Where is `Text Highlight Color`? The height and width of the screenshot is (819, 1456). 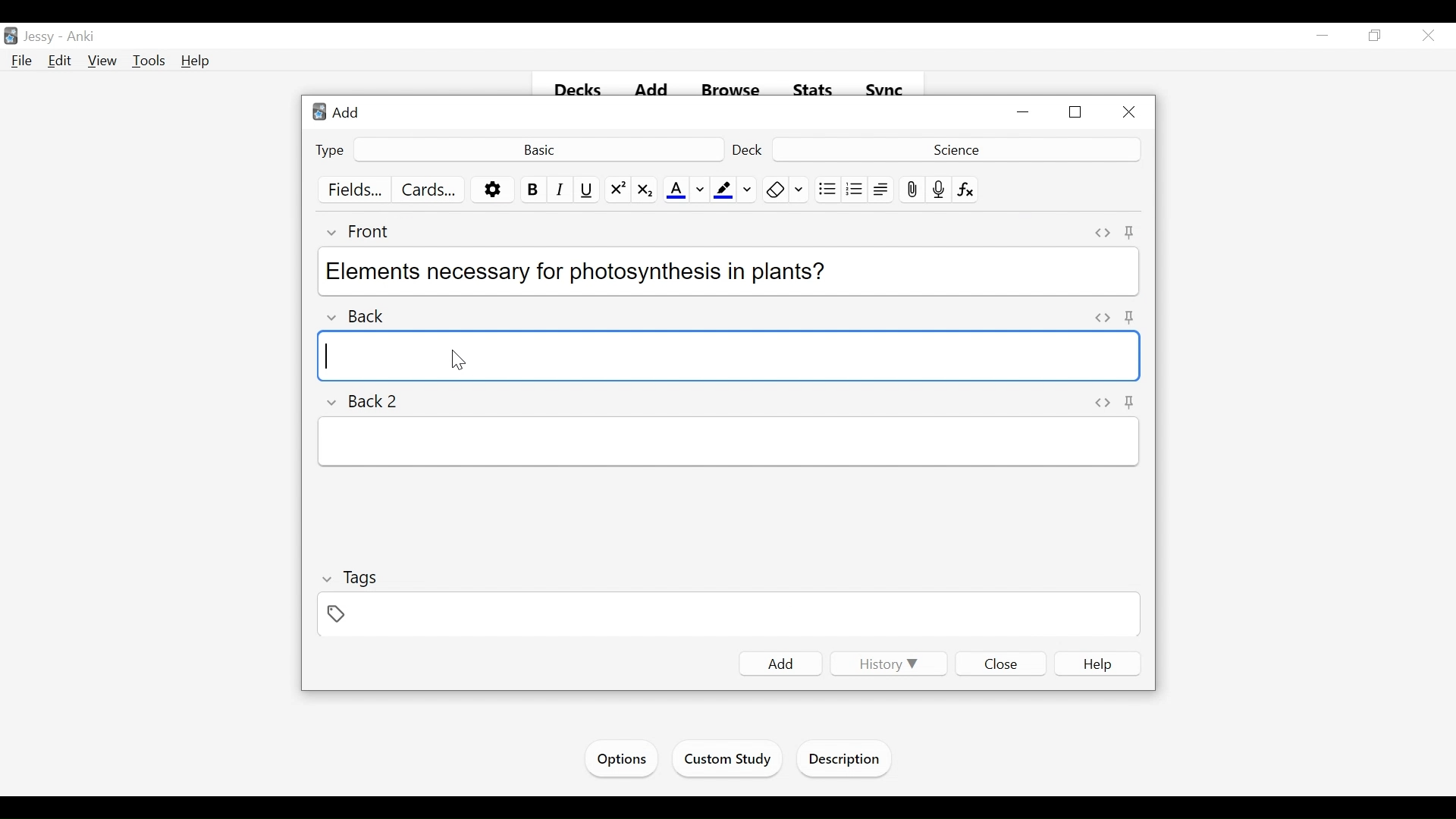
Text Highlight Color is located at coordinates (722, 190).